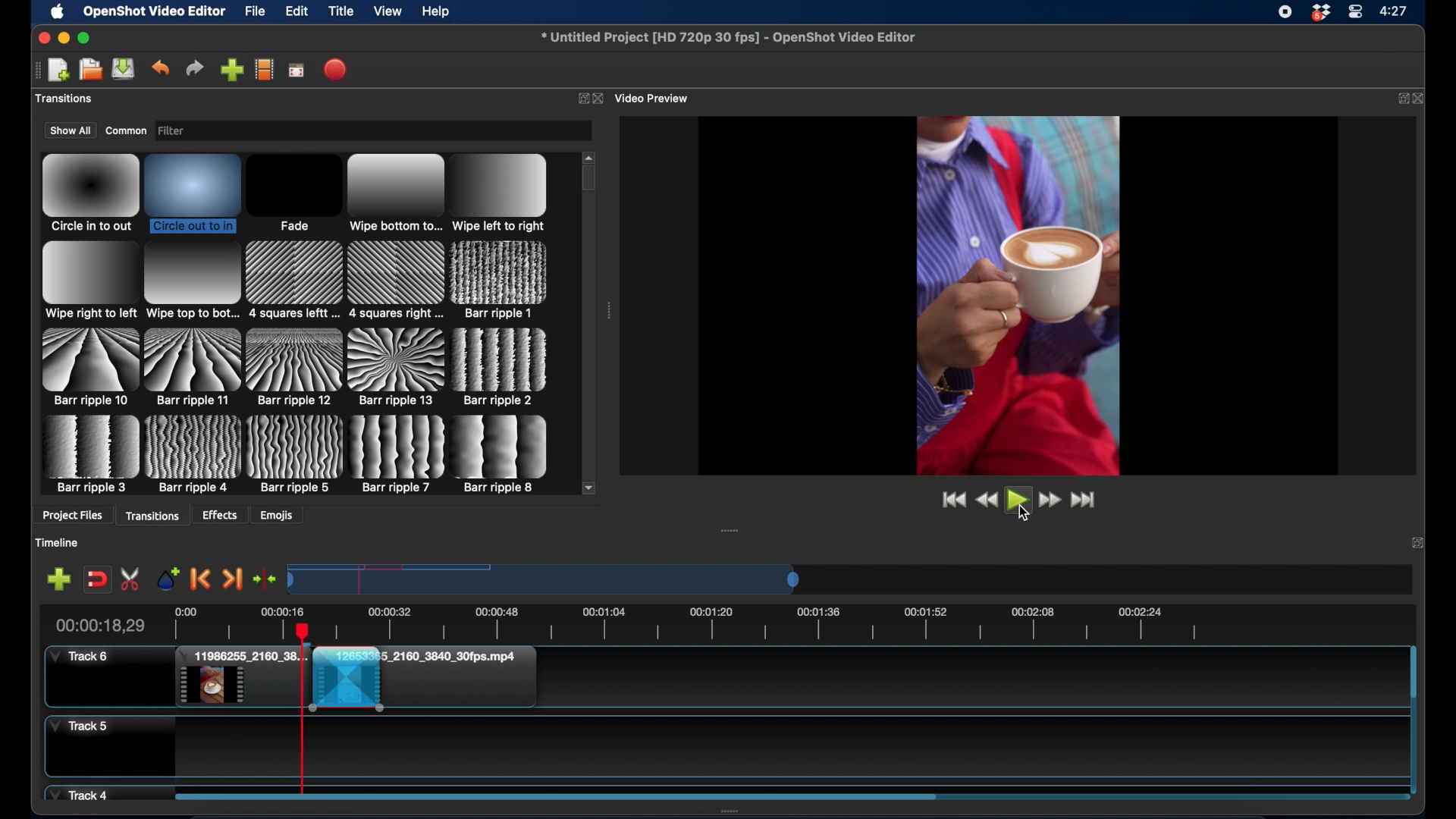  Describe the element at coordinates (1422, 98) in the screenshot. I see `close` at that location.